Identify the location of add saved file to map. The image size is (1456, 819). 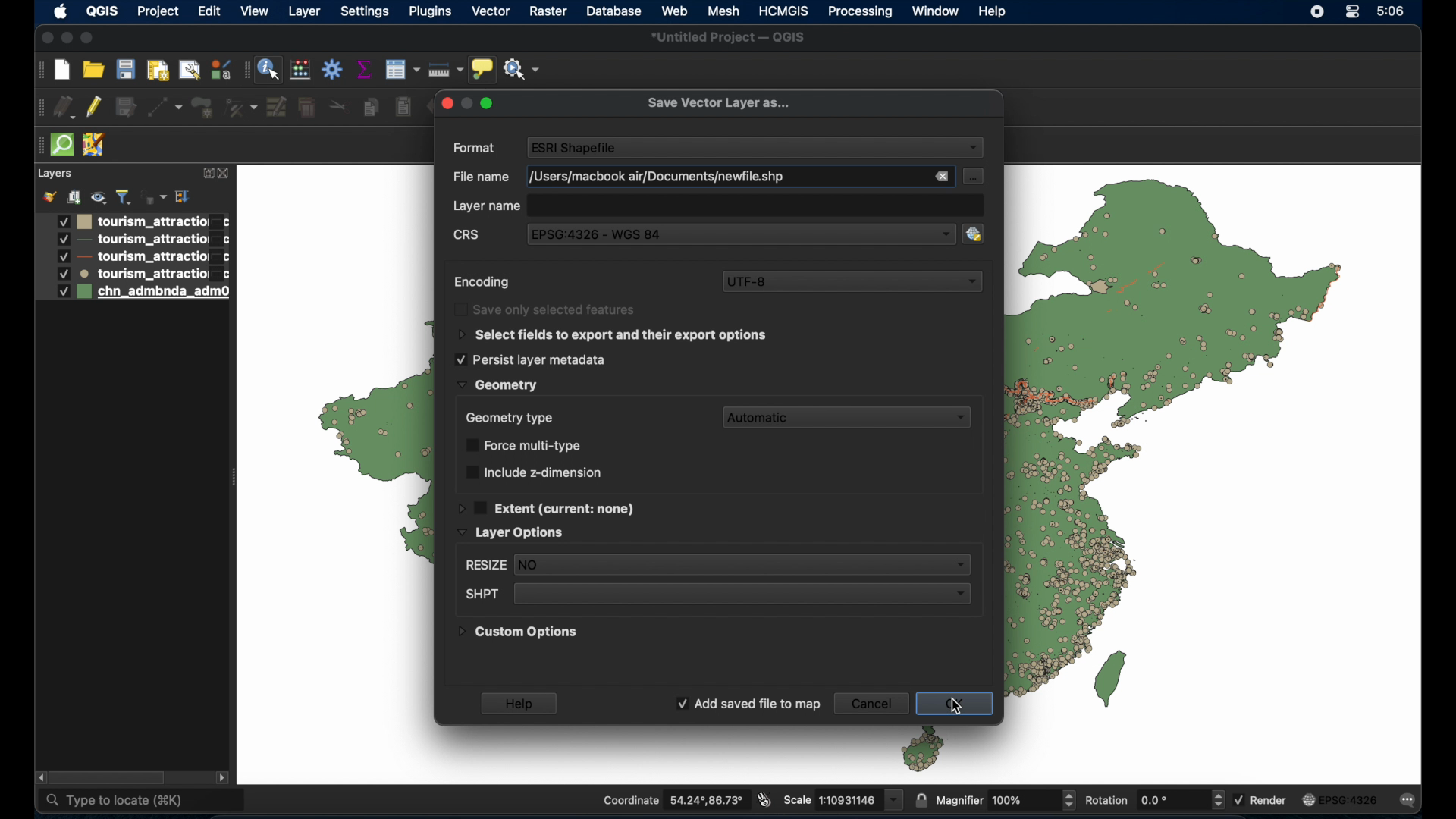
(748, 704).